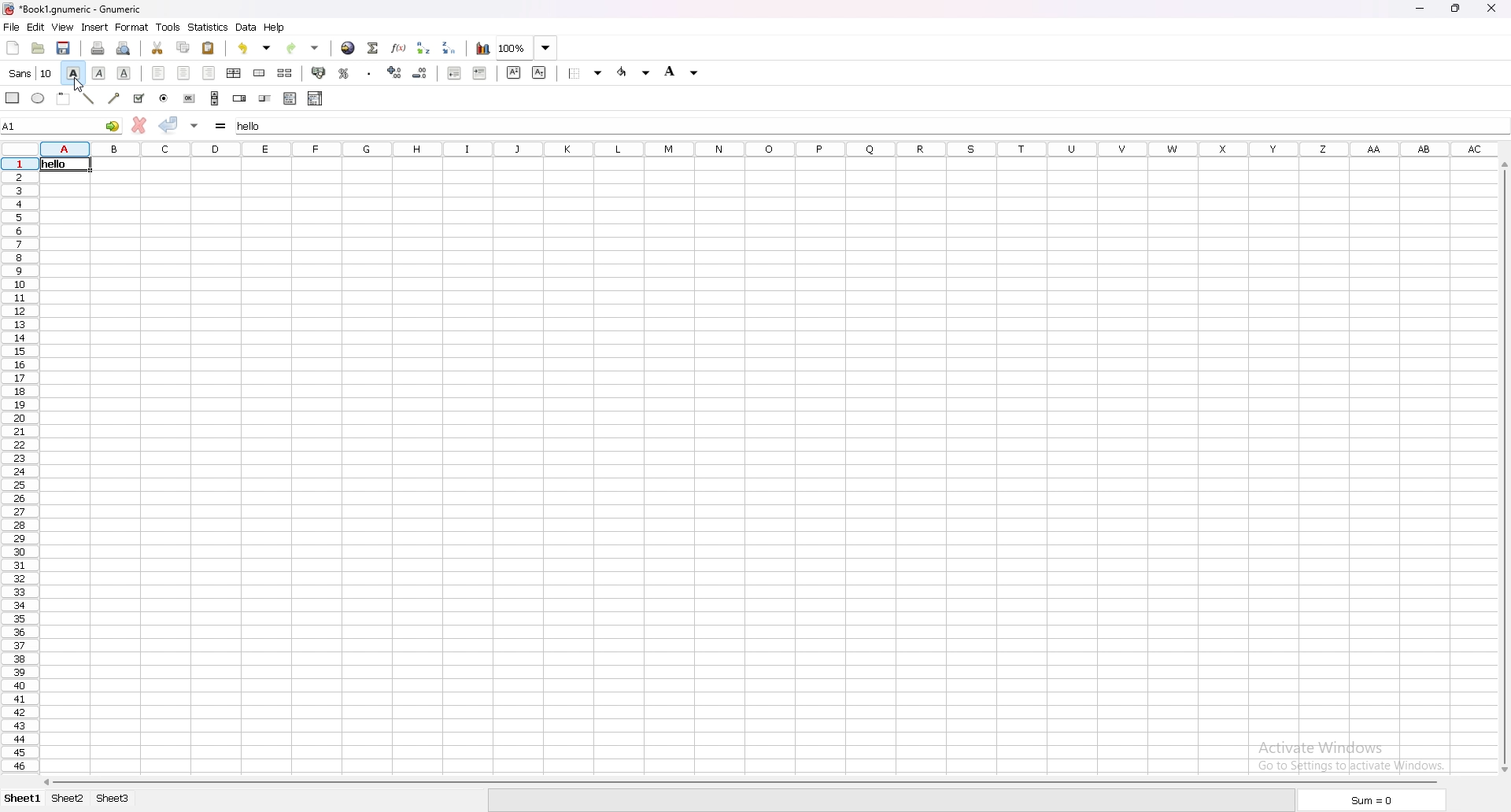 The height and width of the screenshot is (812, 1511). I want to click on list, so click(290, 98).